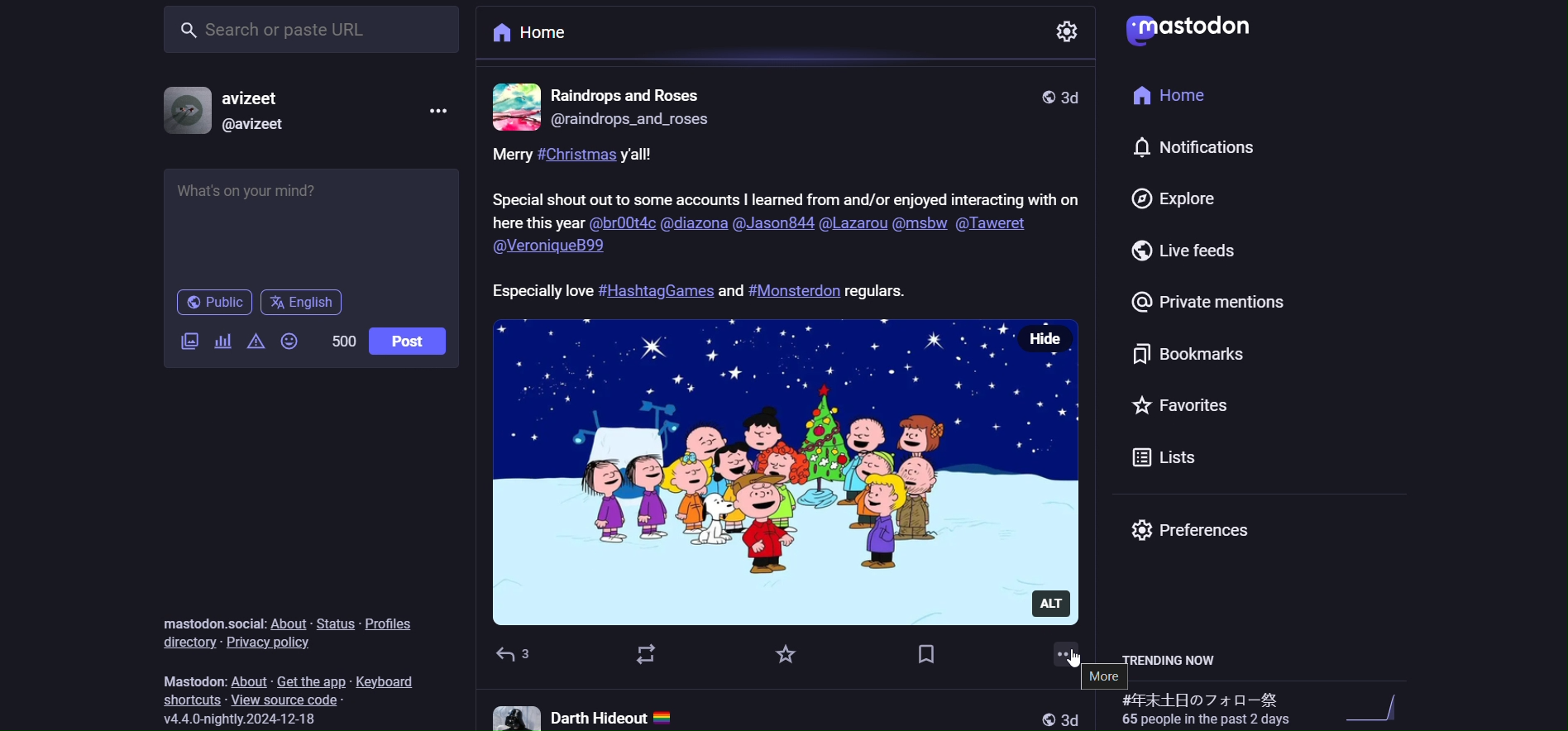 The width and height of the screenshot is (1568, 731). What do you see at coordinates (331, 623) in the screenshot?
I see `status` at bounding box center [331, 623].